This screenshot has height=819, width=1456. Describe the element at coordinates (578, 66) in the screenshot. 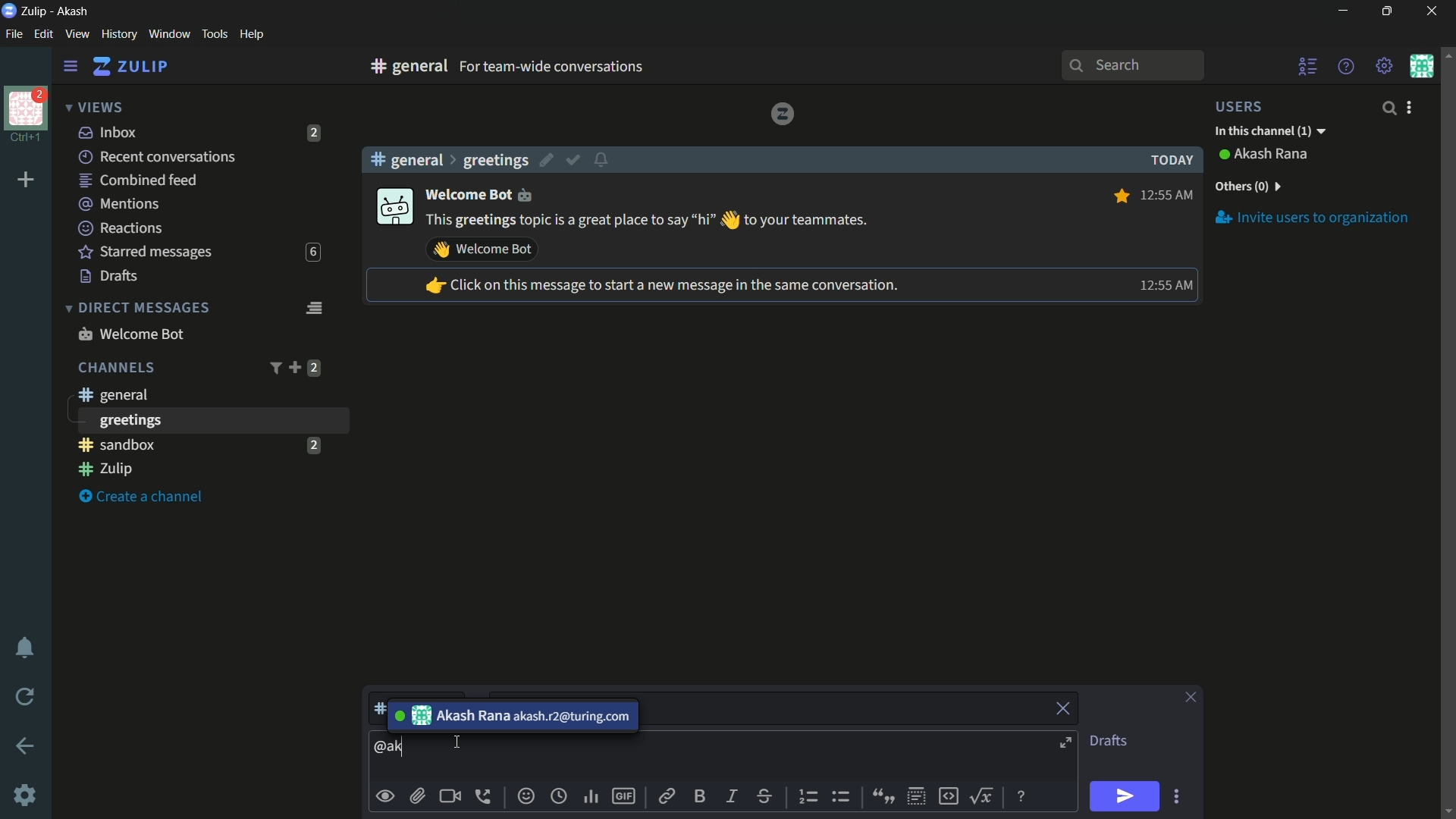

I see `# general for team wide conversations` at that location.